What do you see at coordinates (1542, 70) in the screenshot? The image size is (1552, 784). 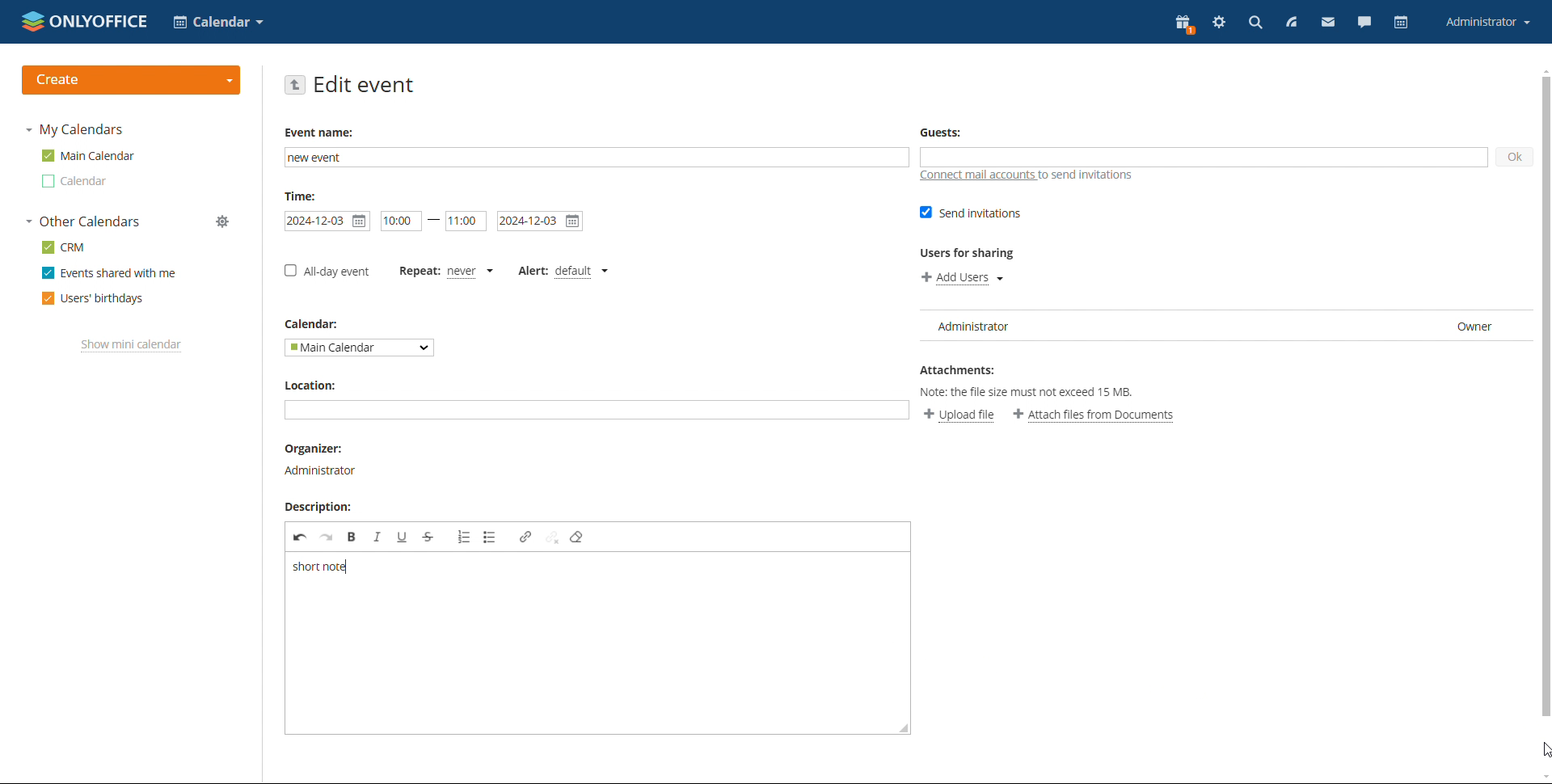 I see `scroll up` at bounding box center [1542, 70].